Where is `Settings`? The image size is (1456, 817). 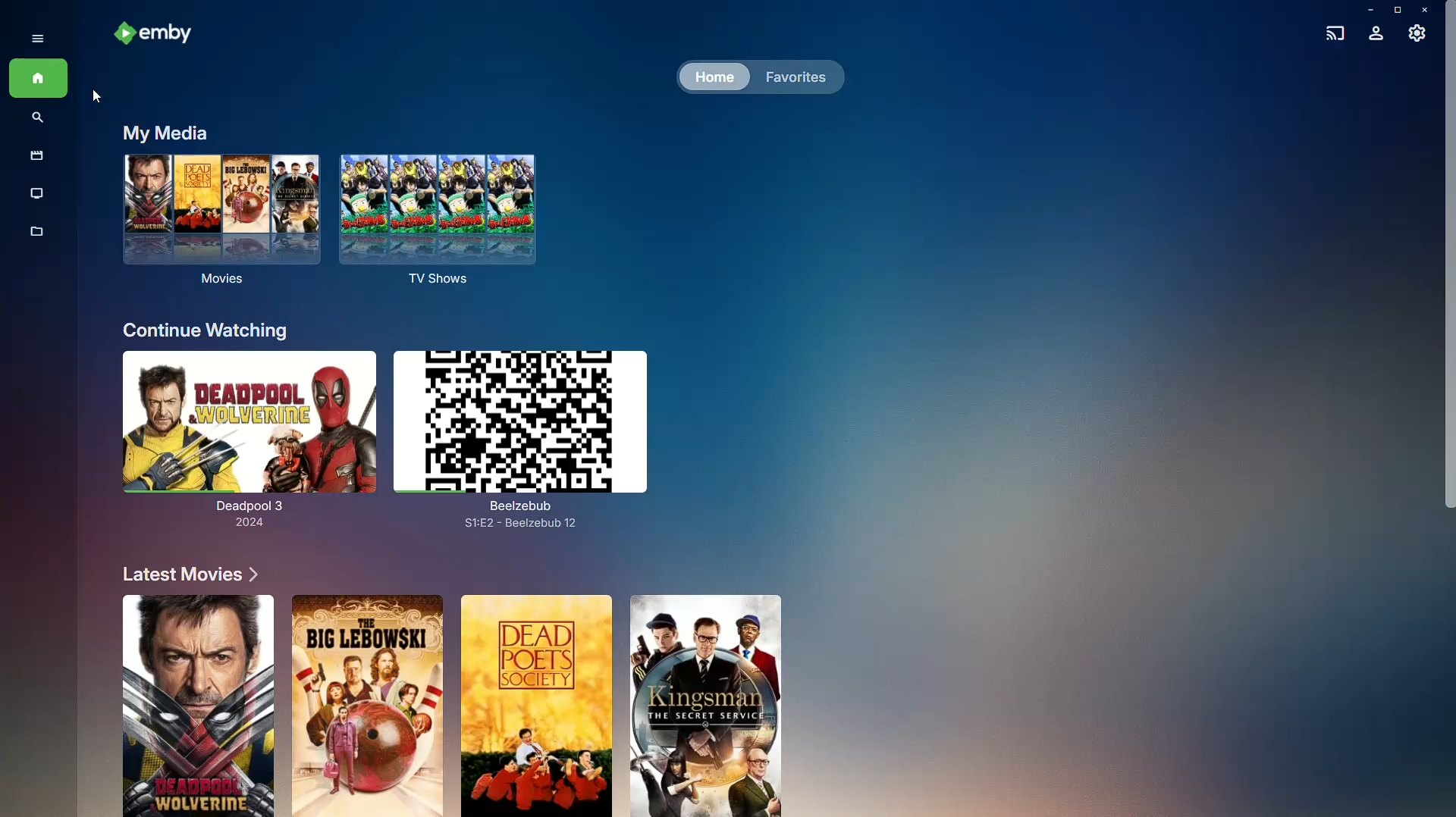
Settings is located at coordinates (1418, 37).